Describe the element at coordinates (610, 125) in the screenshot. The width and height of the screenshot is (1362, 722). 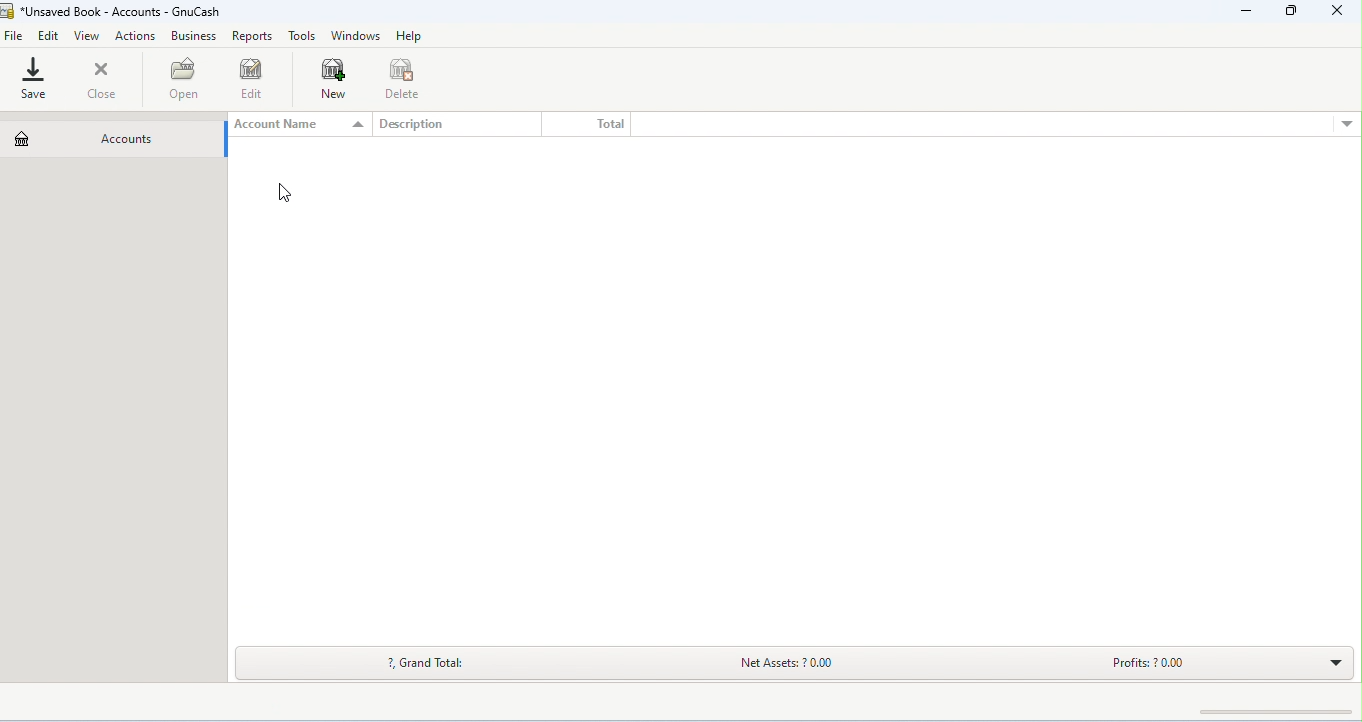
I see `total` at that location.